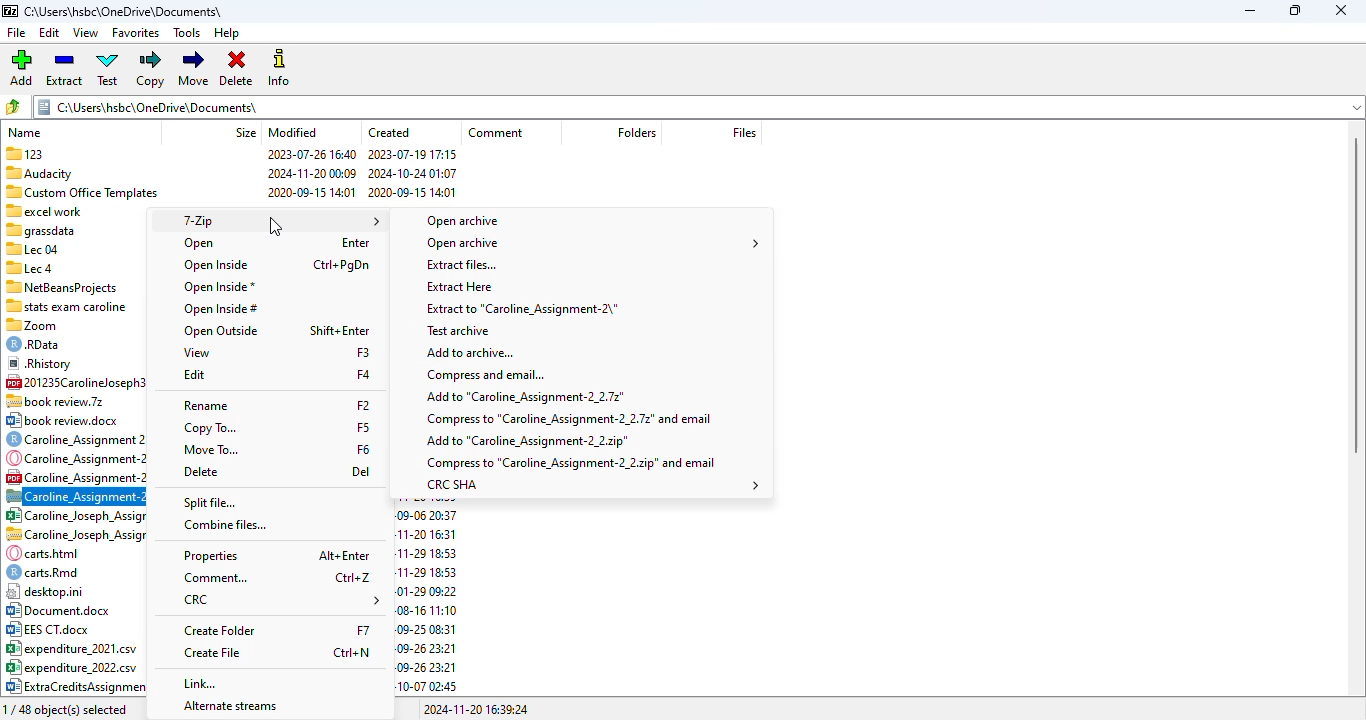  Describe the element at coordinates (78, 382) in the screenshot. I see ` 201235CarolineJoseph3... 854886 2020-10-09 19:02 2020-10-09 19:05` at that location.